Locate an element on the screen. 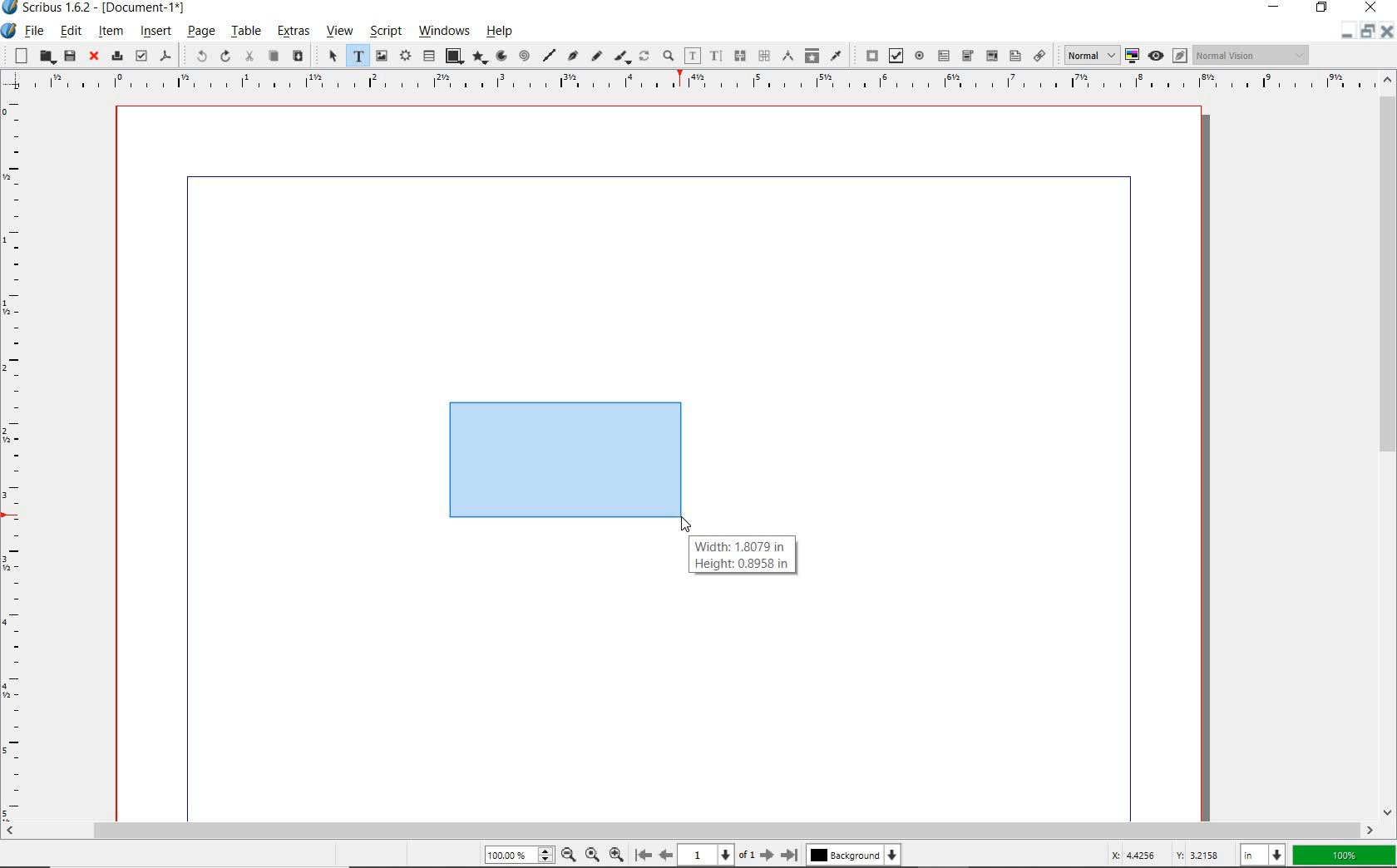 The height and width of the screenshot is (868, 1397). system icon is located at coordinates (7, 31).